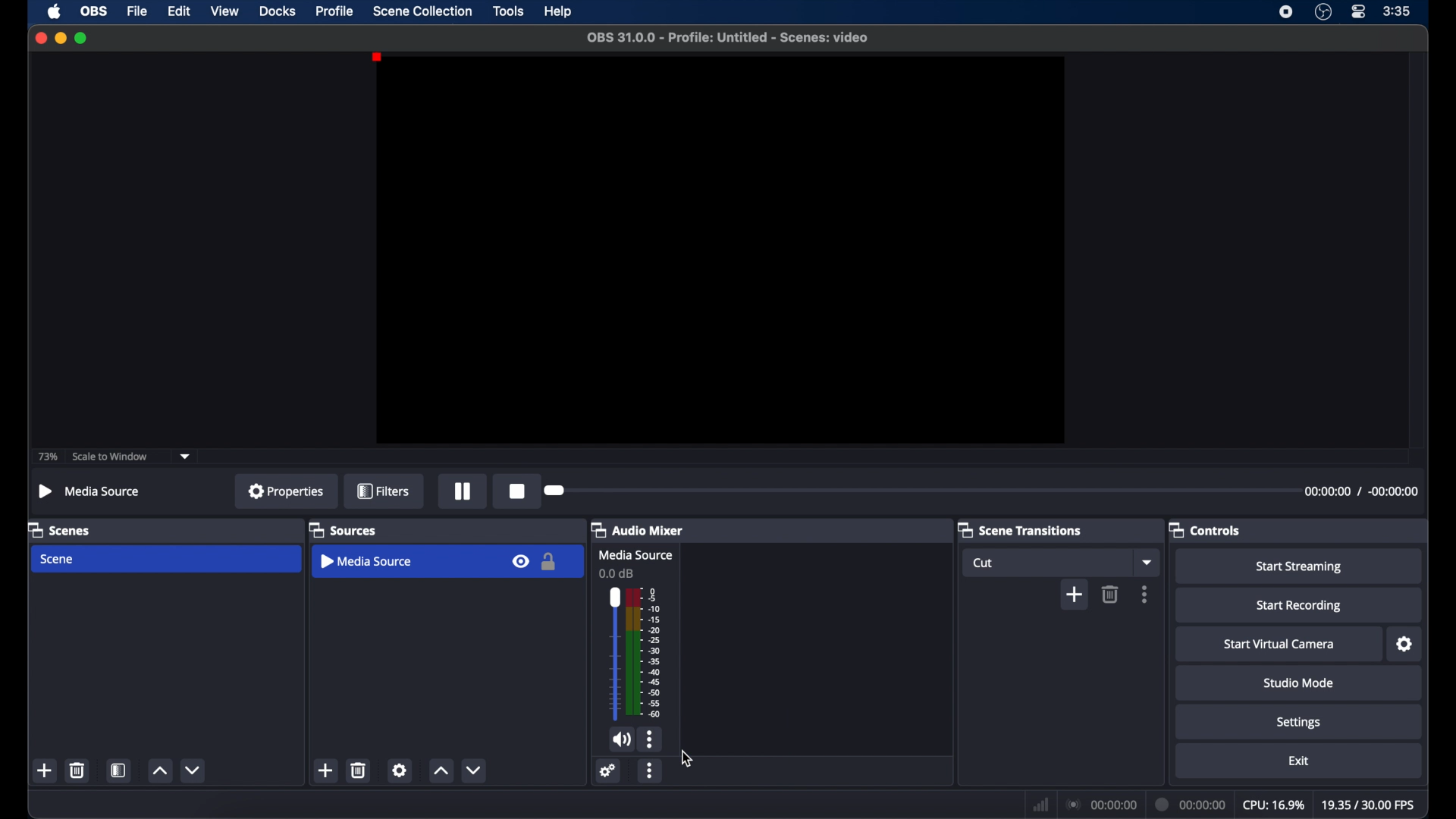 This screenshot has height=819, width=1456. What do you see at coordinates (514, 491) in the screenshot?
I see `Stop` at bounding box center [514, 491].